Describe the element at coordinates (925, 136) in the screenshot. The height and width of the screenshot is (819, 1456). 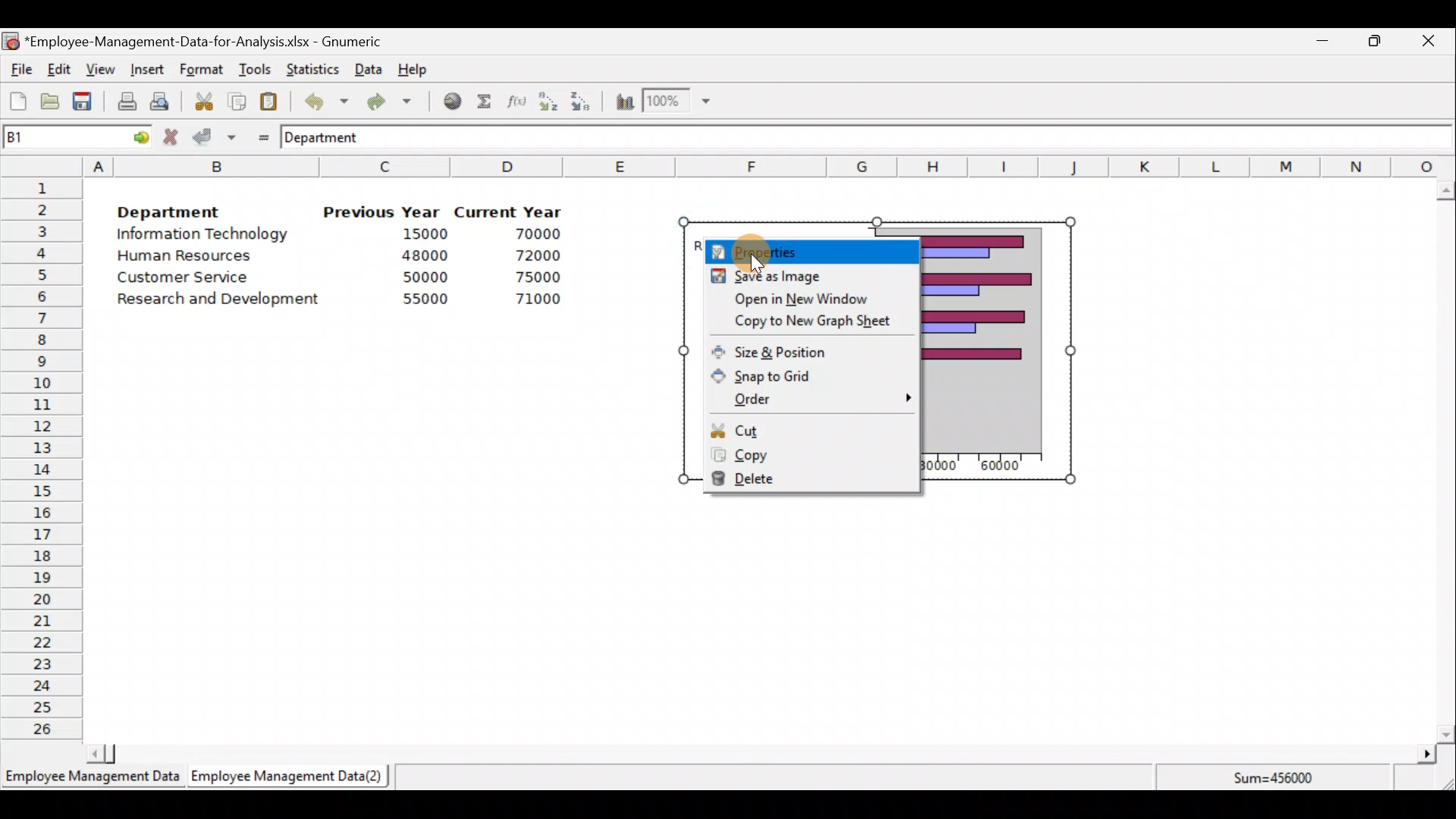
I see `Formula bar` at that location.